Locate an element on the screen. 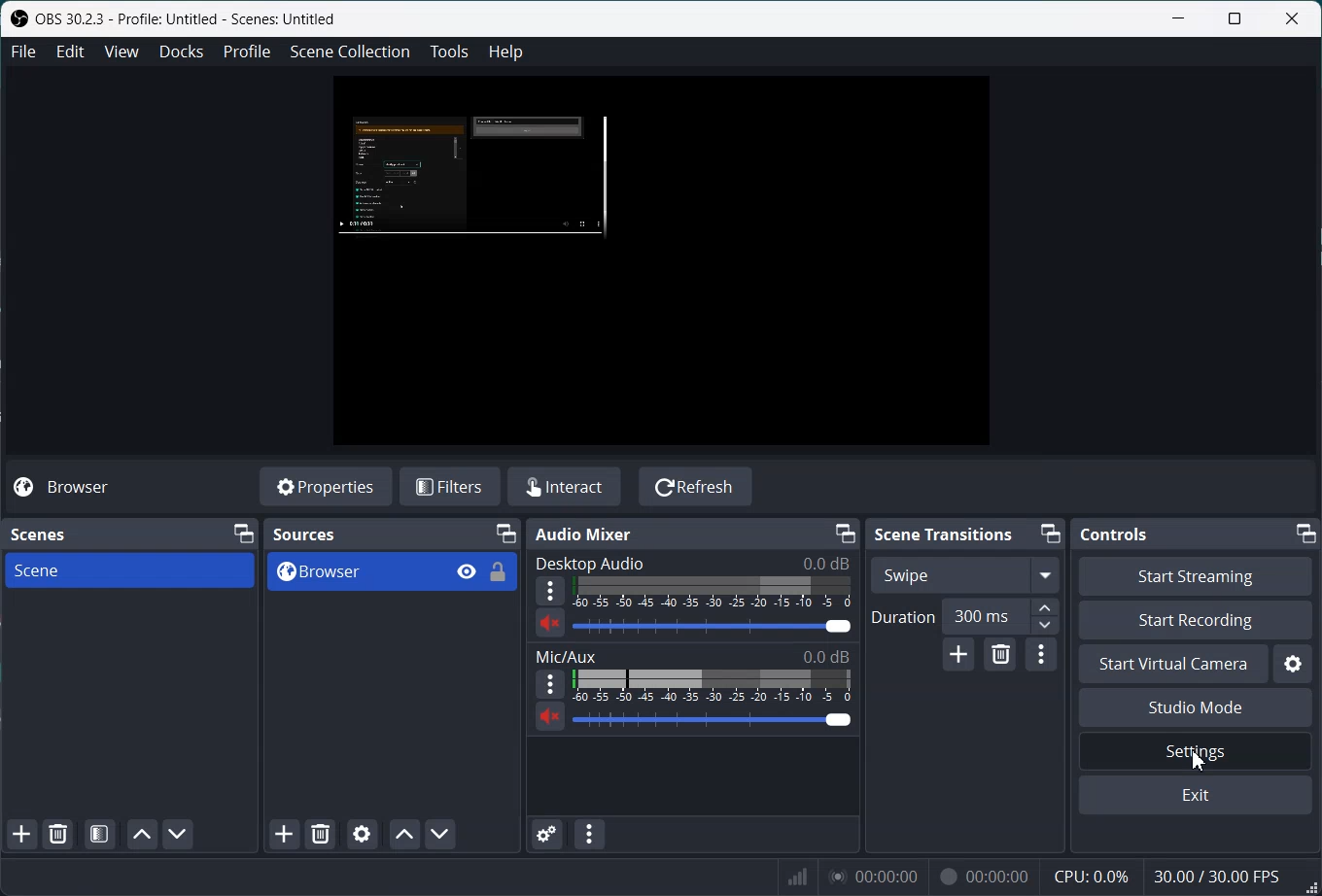  Minimize is located at coordinates (1305, 534).